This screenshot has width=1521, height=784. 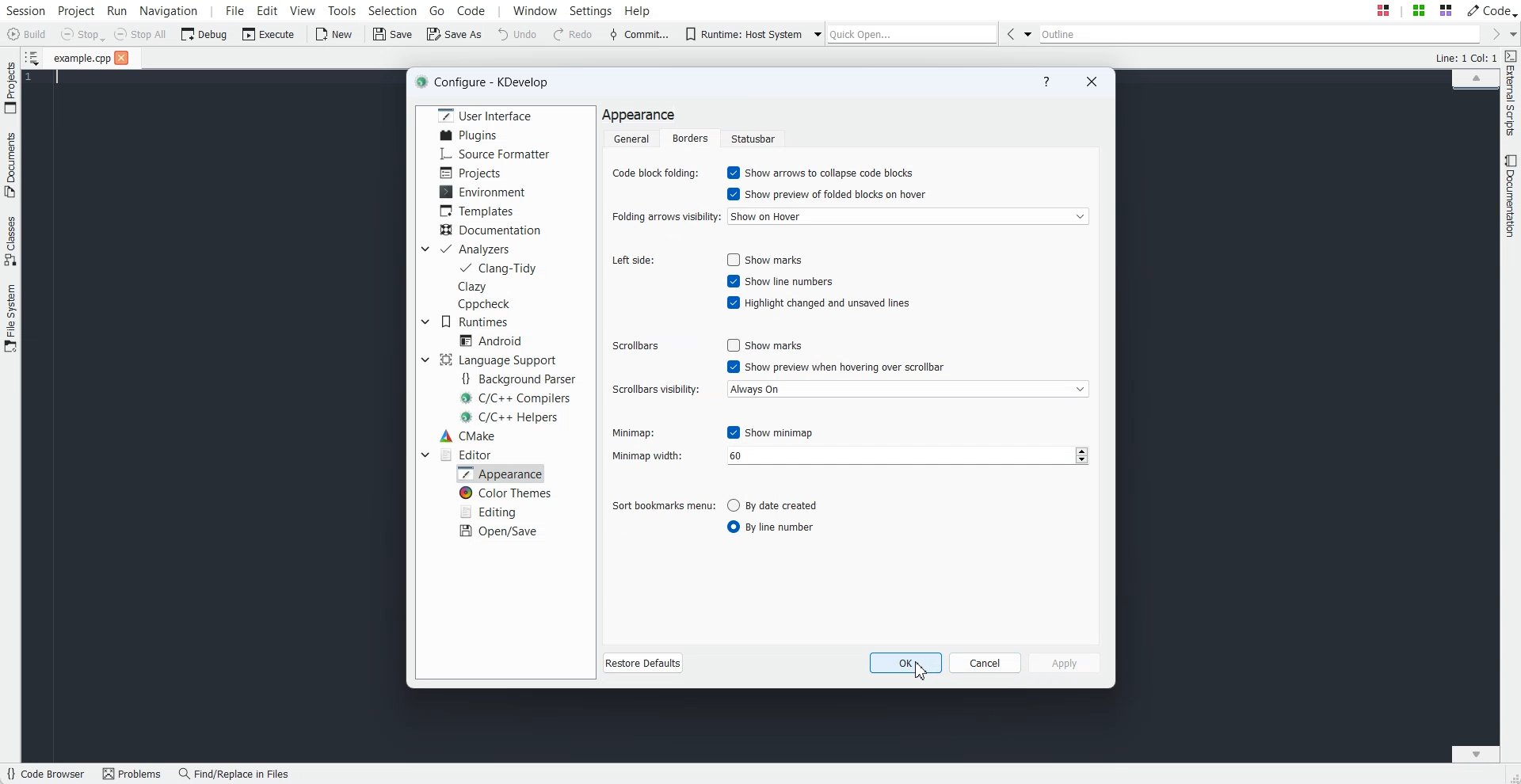 I want to click on Scroll visibility, so click(x=656, y=390).